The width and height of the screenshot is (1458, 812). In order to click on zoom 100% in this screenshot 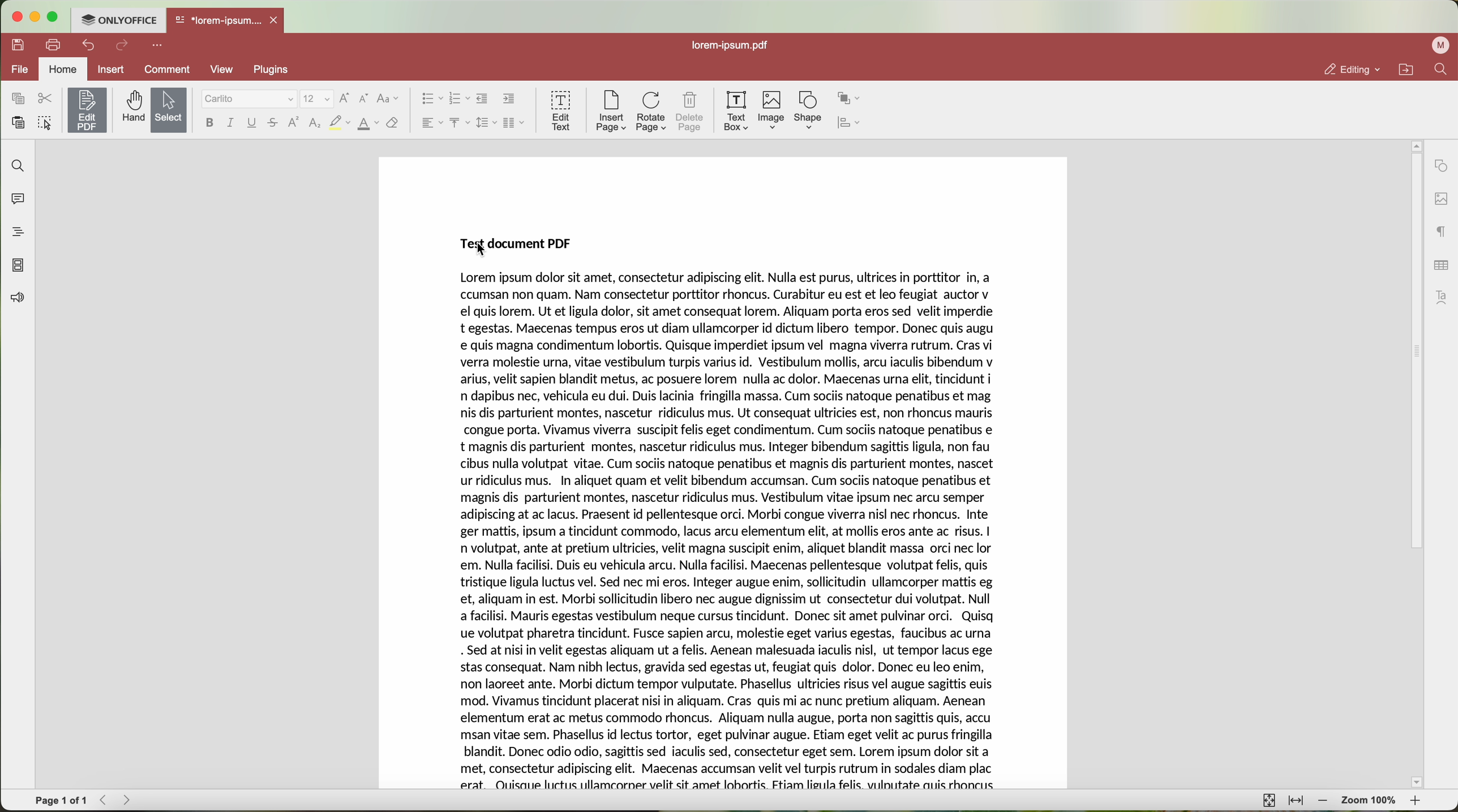, I will do `click(1370, 801)`.